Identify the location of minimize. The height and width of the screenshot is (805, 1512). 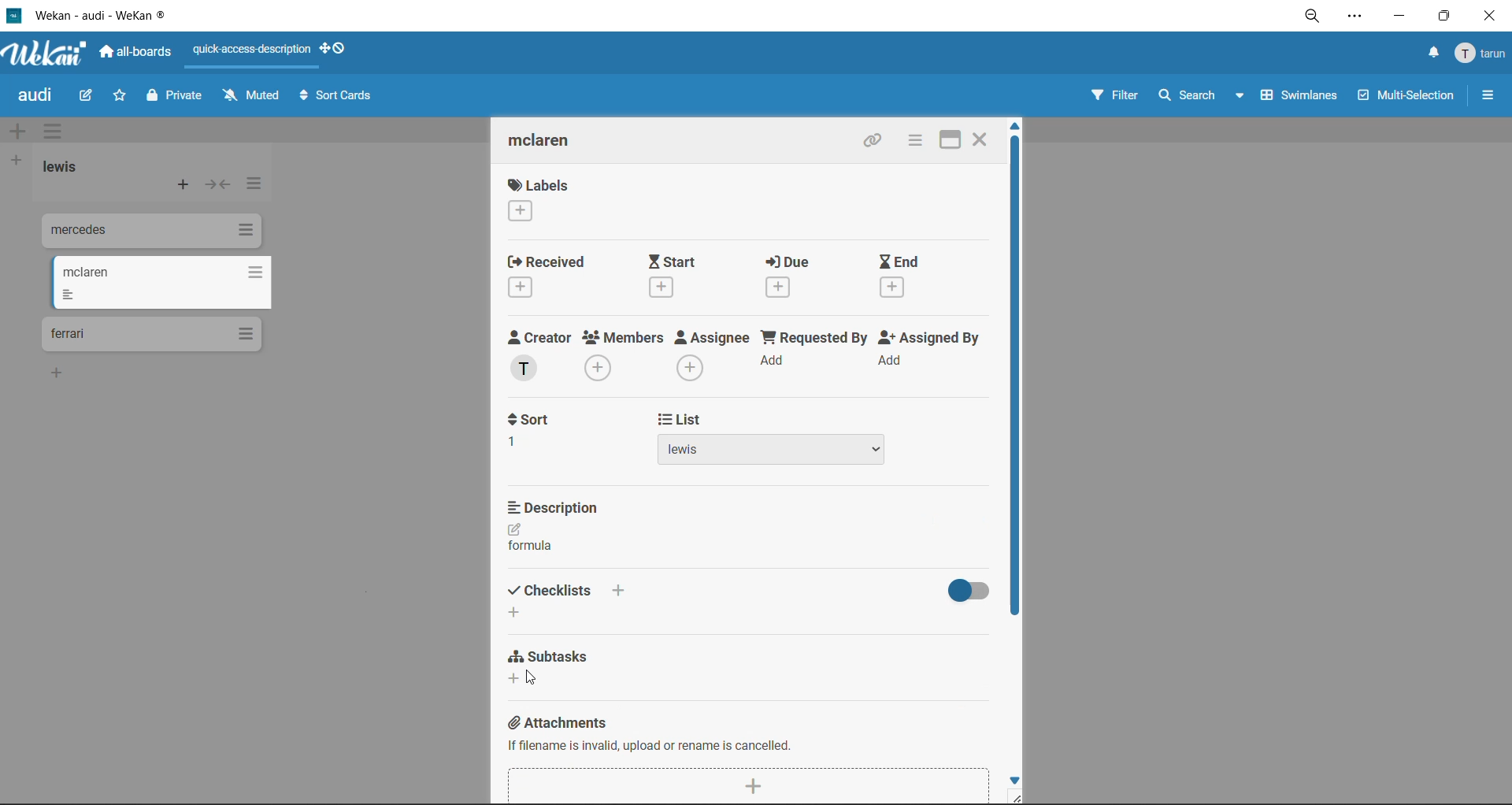
(1398, 14).